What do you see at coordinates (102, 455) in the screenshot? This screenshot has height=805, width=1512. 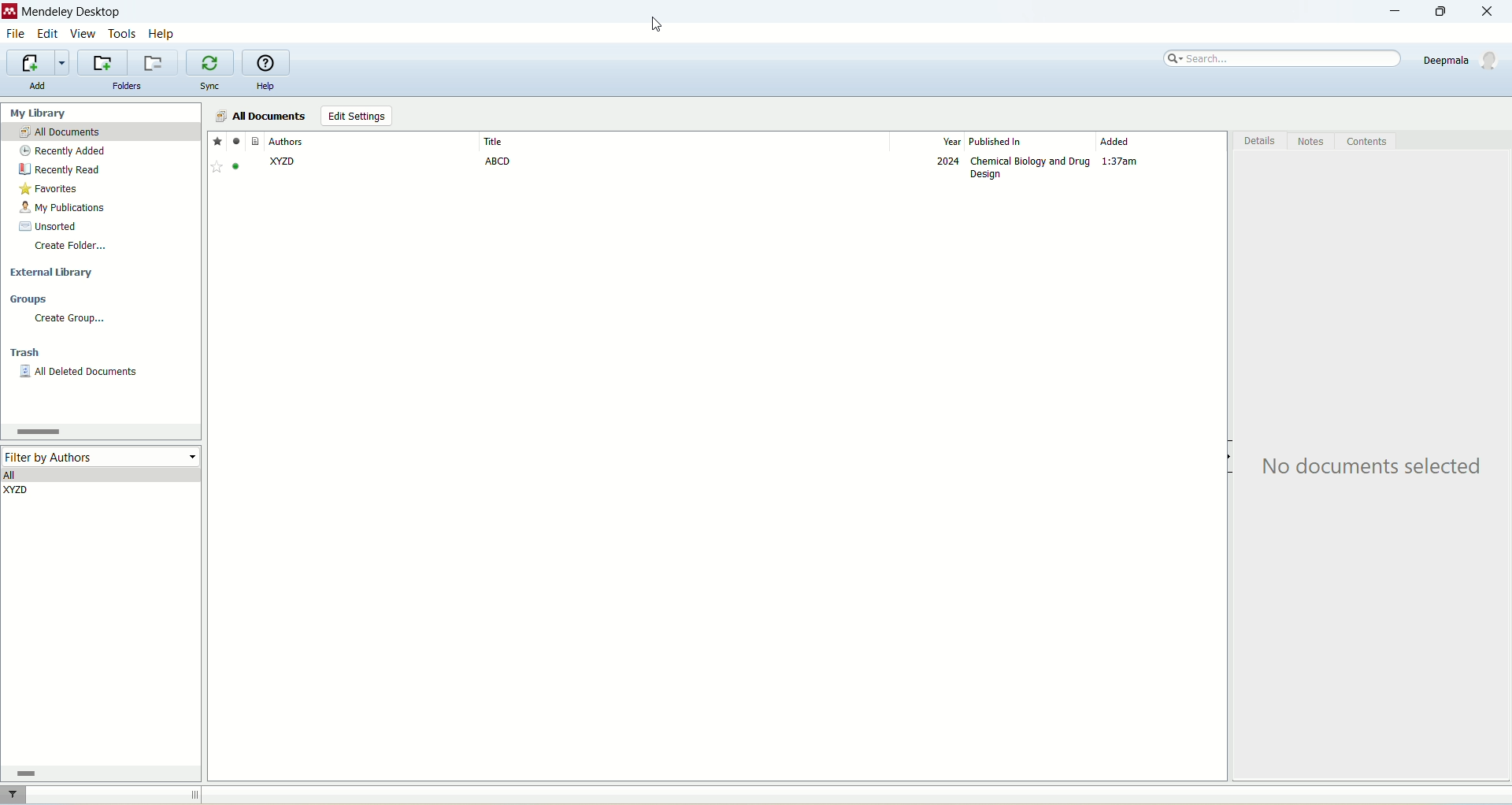 I see `filter by author` at bounding box center [102, 455].